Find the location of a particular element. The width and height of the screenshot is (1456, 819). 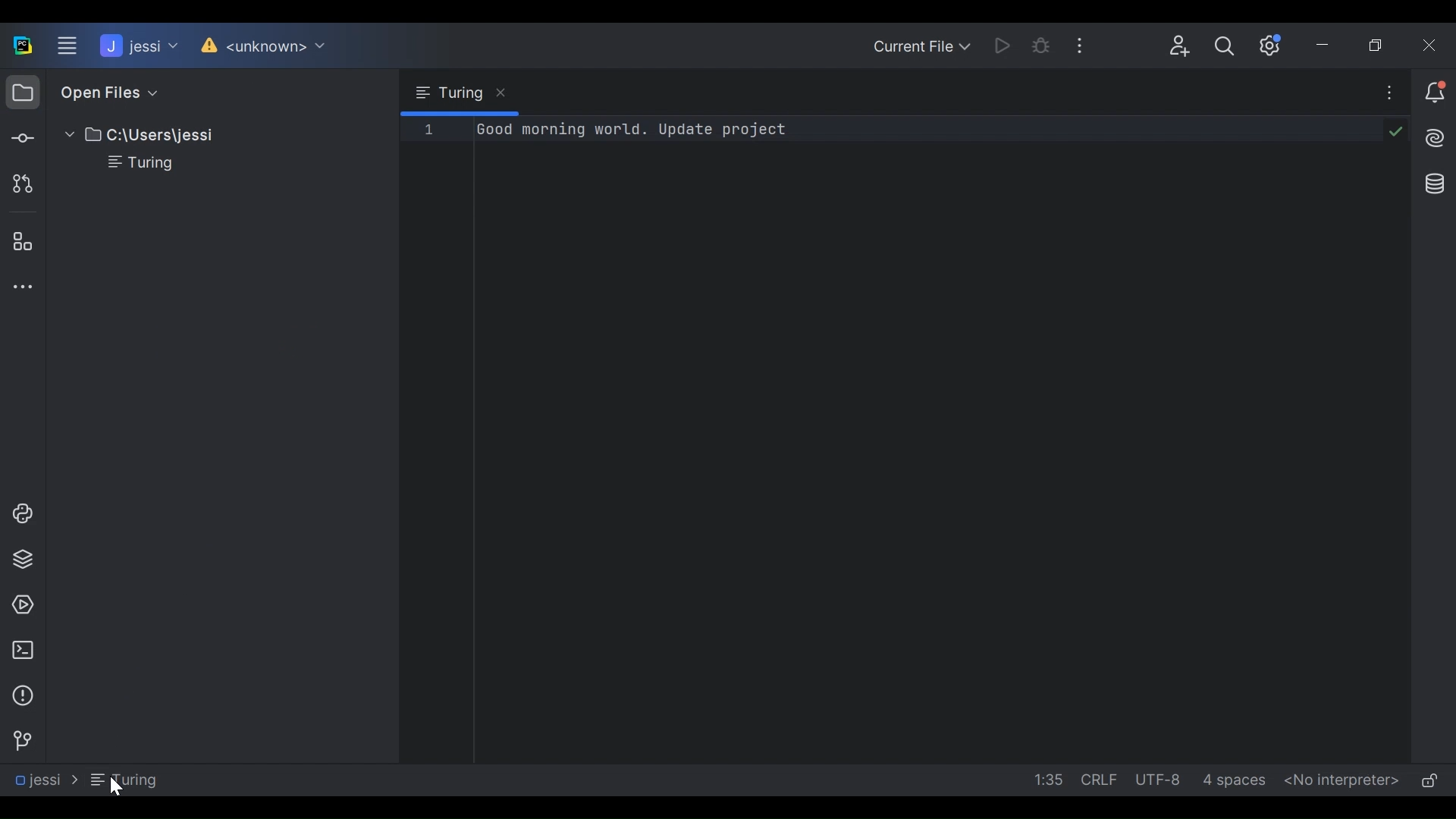

PyCharm Desktop Icon is located at coordinates (23, 47).